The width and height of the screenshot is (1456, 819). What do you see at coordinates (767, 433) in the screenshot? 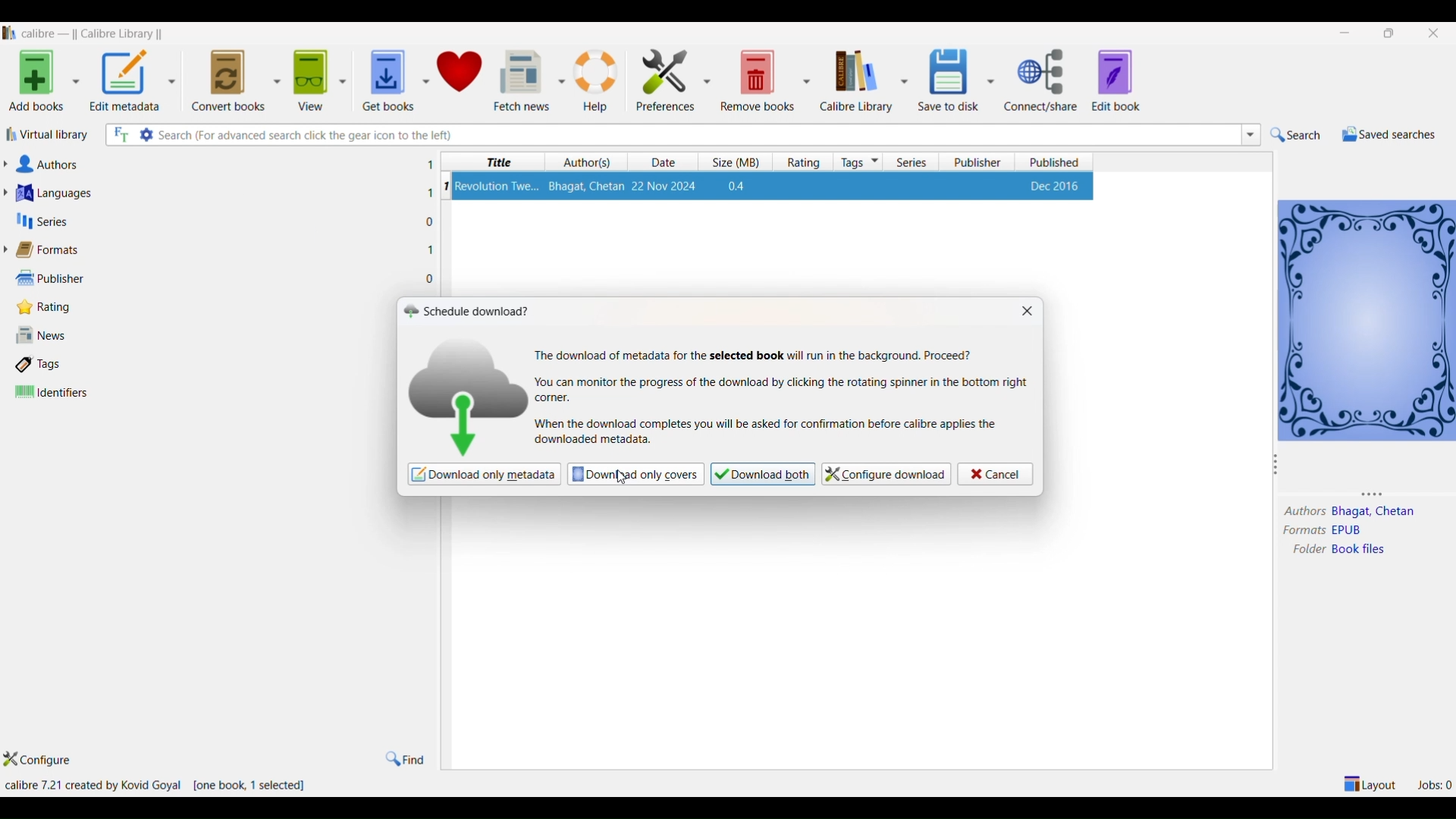
I see `download related text` at bounding box center [767, 433].